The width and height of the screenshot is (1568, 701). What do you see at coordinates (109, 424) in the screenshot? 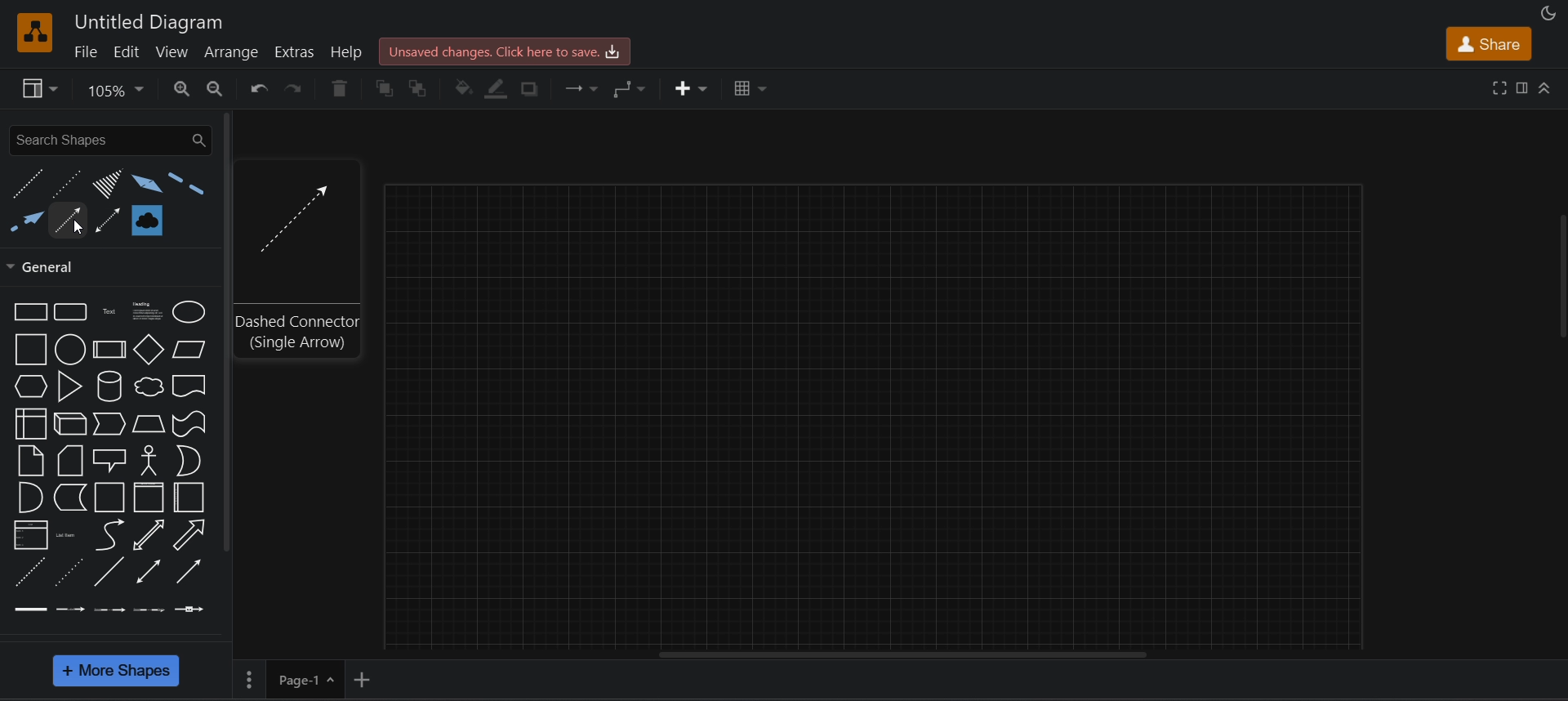
I see `step` at bounding box center [109, 424].